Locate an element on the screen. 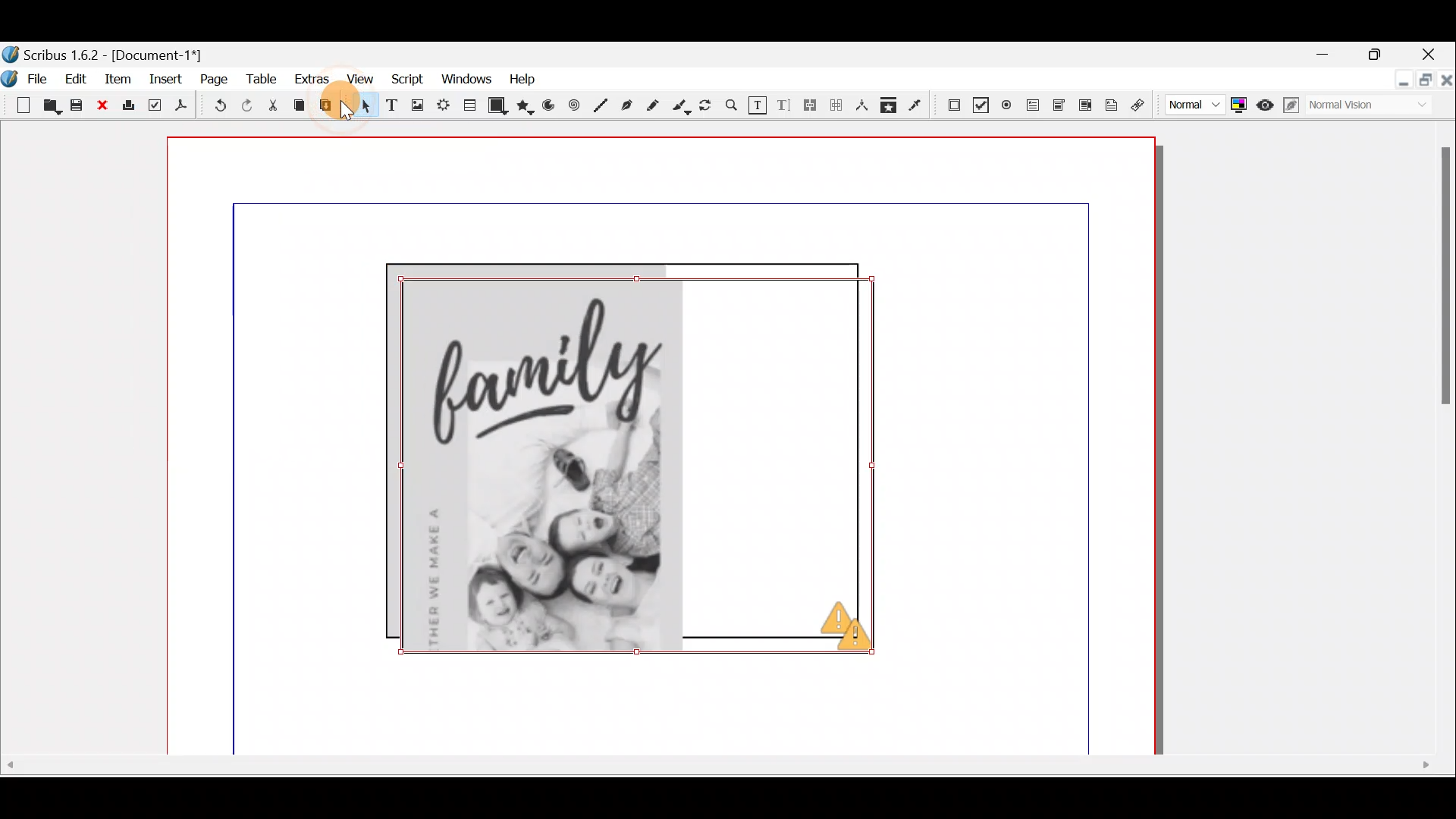  Measurements is located at coordinates (862, 108).